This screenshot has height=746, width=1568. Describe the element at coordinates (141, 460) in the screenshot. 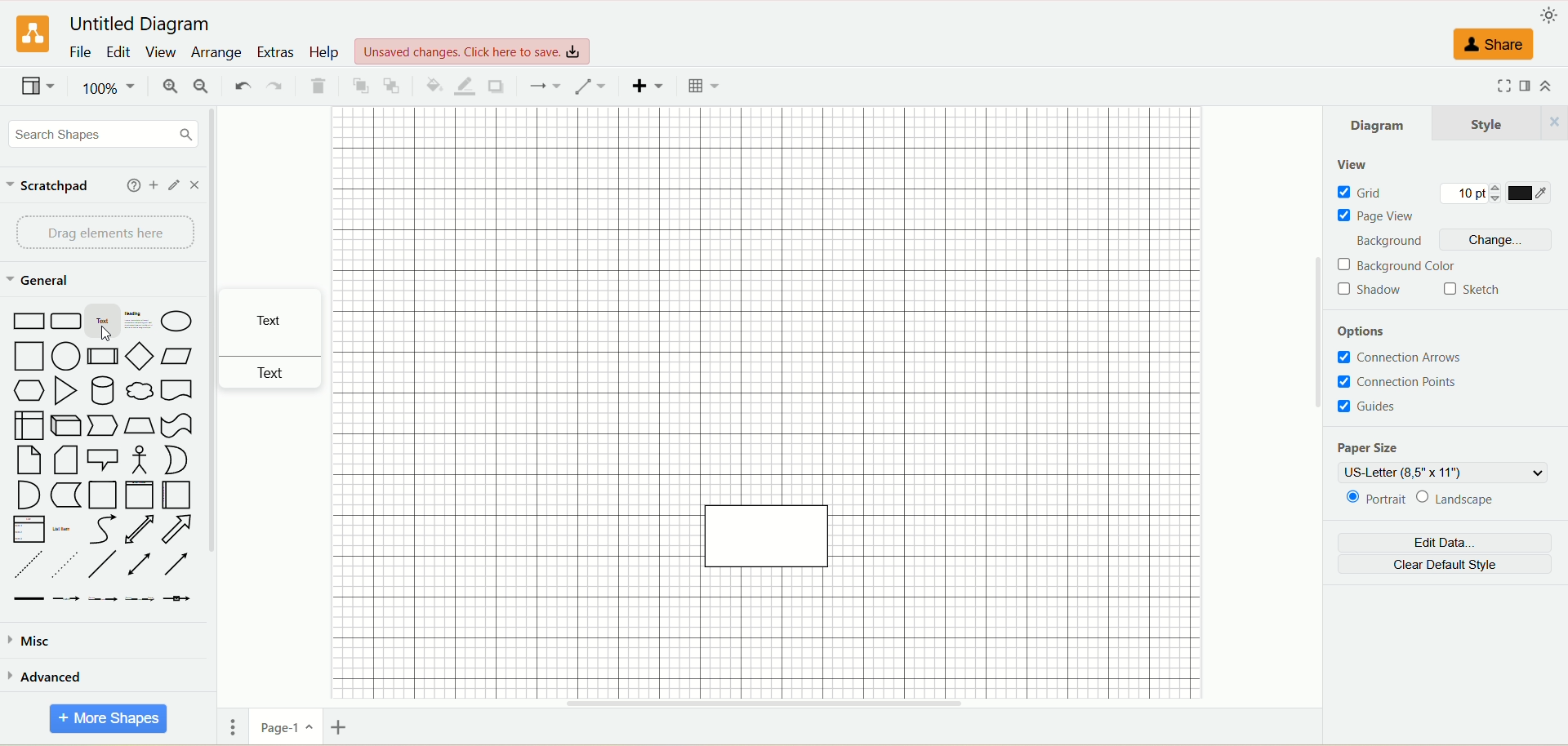

I see `actor` at that location.